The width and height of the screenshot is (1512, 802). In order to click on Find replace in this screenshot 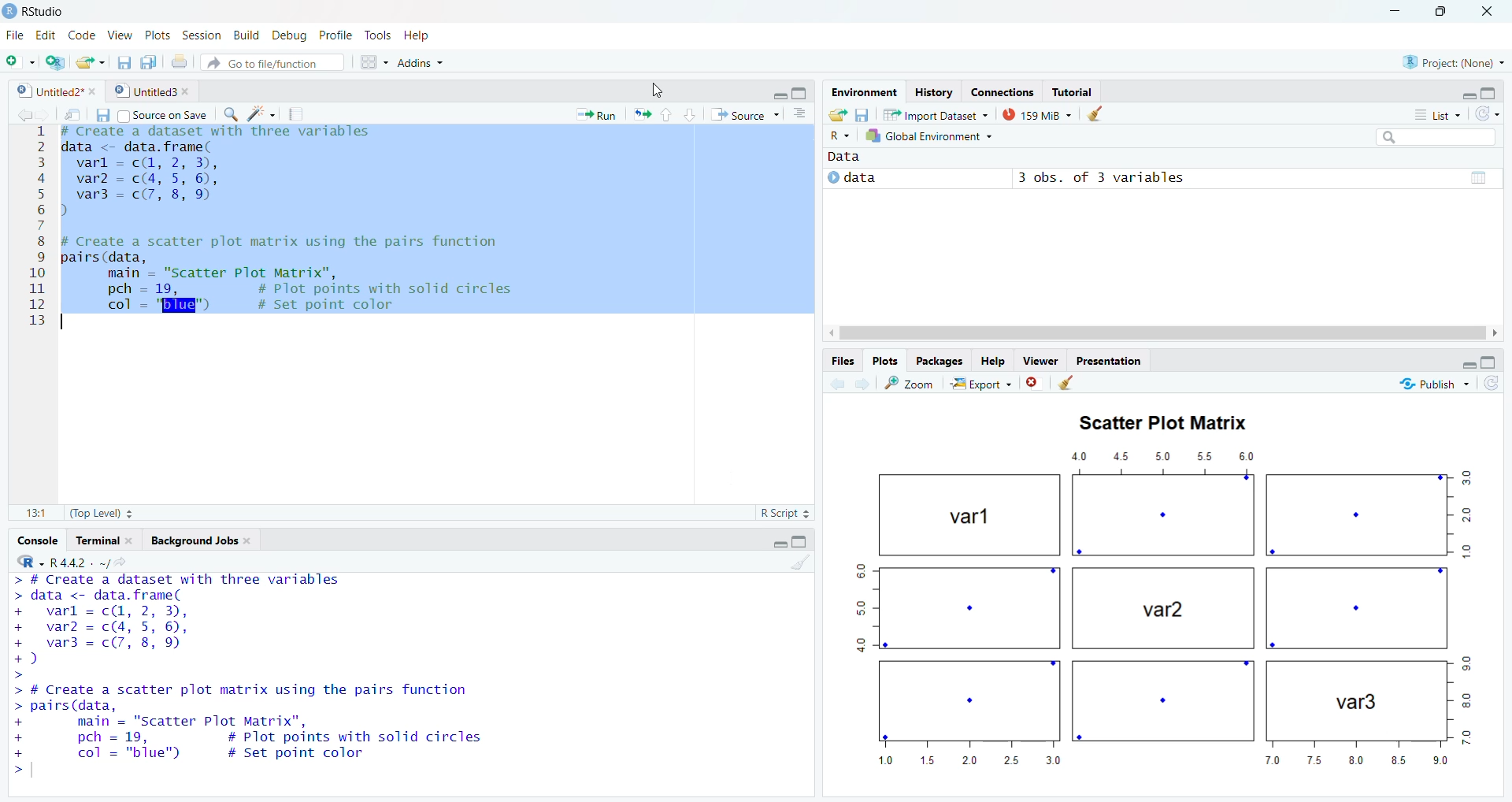, I will do `click(224, 114)`.